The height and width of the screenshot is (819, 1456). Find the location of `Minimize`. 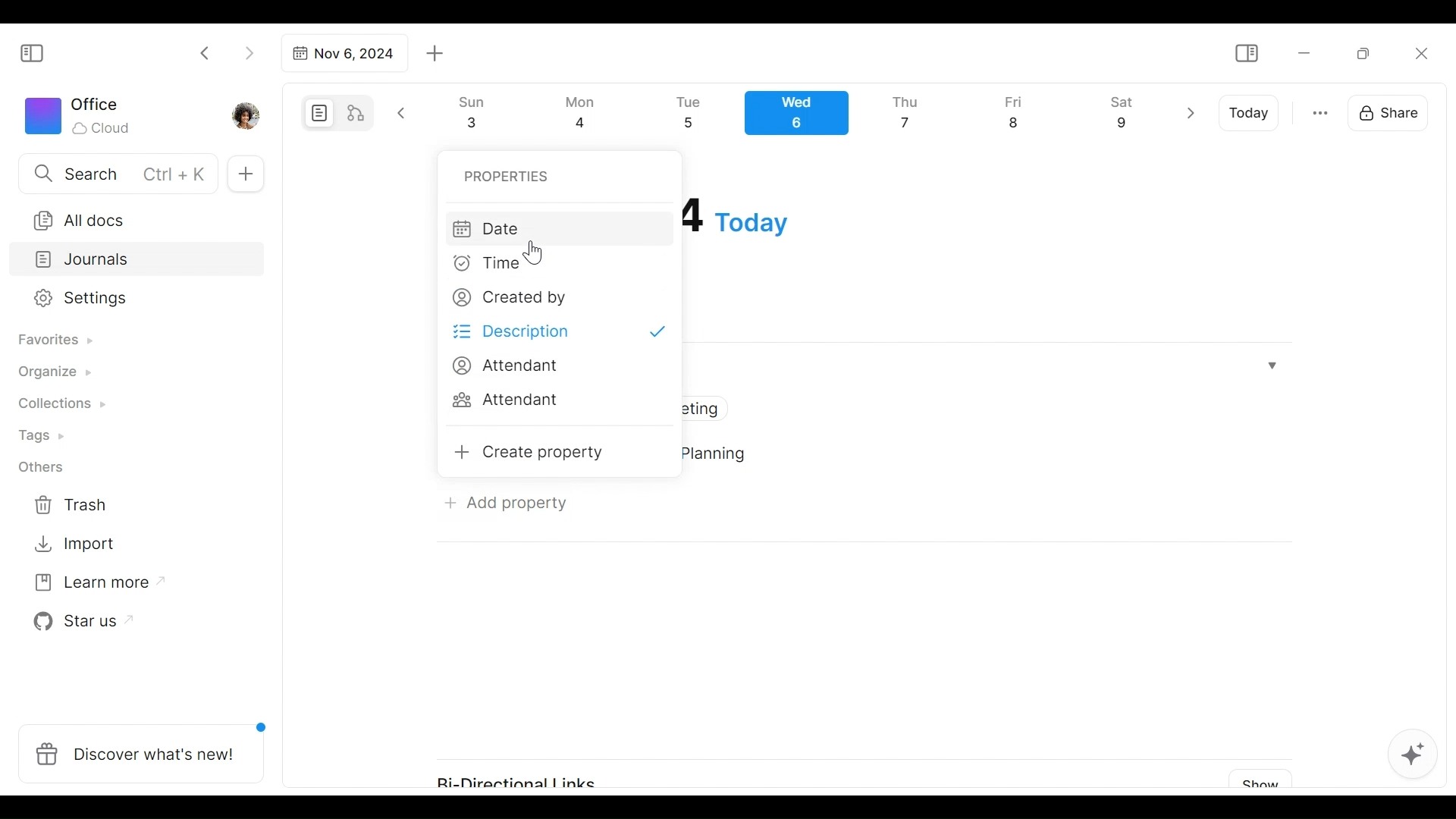

Minimize is located at coordinates (1304, 52).